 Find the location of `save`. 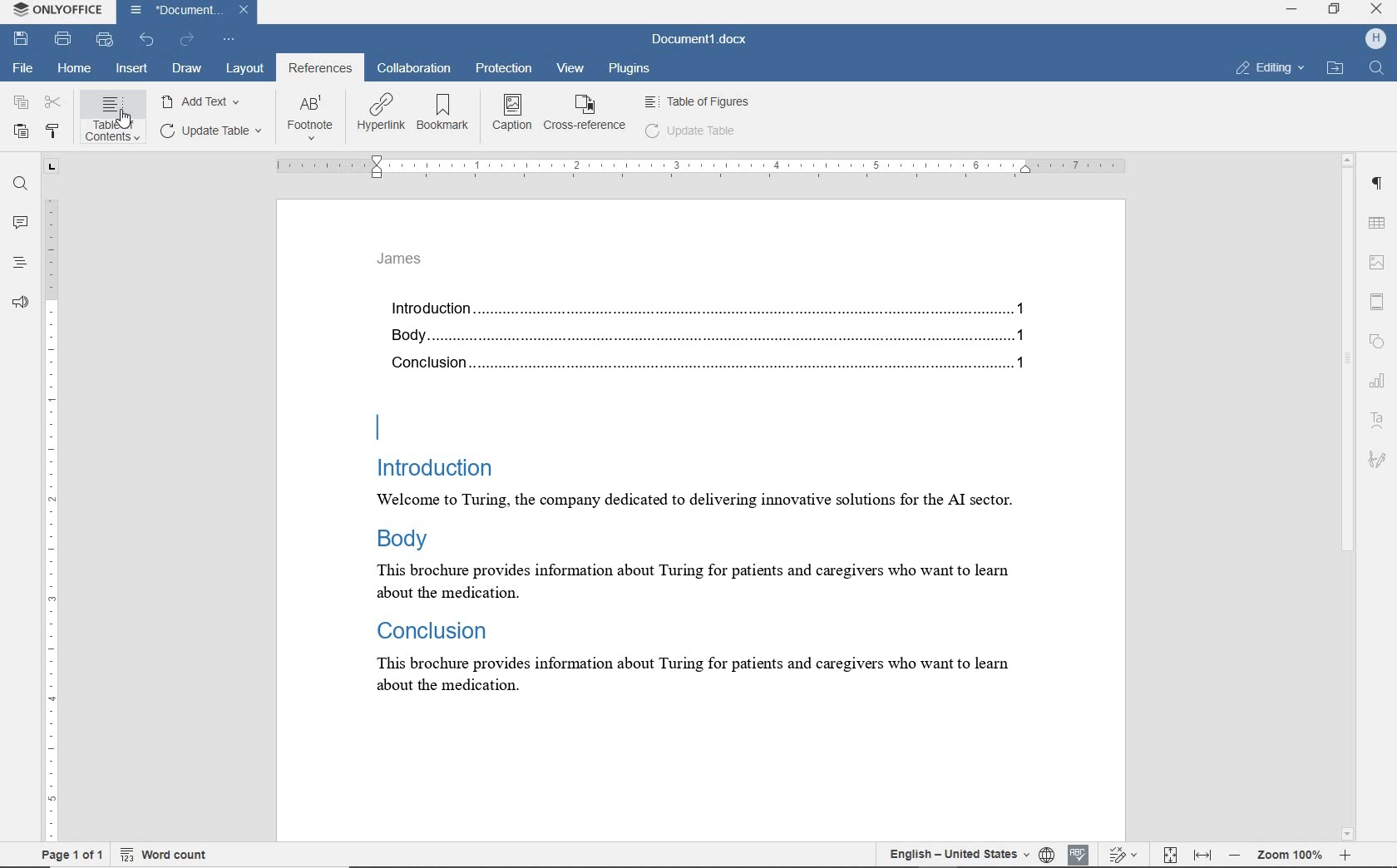

save is located at coordinates (23, 40).